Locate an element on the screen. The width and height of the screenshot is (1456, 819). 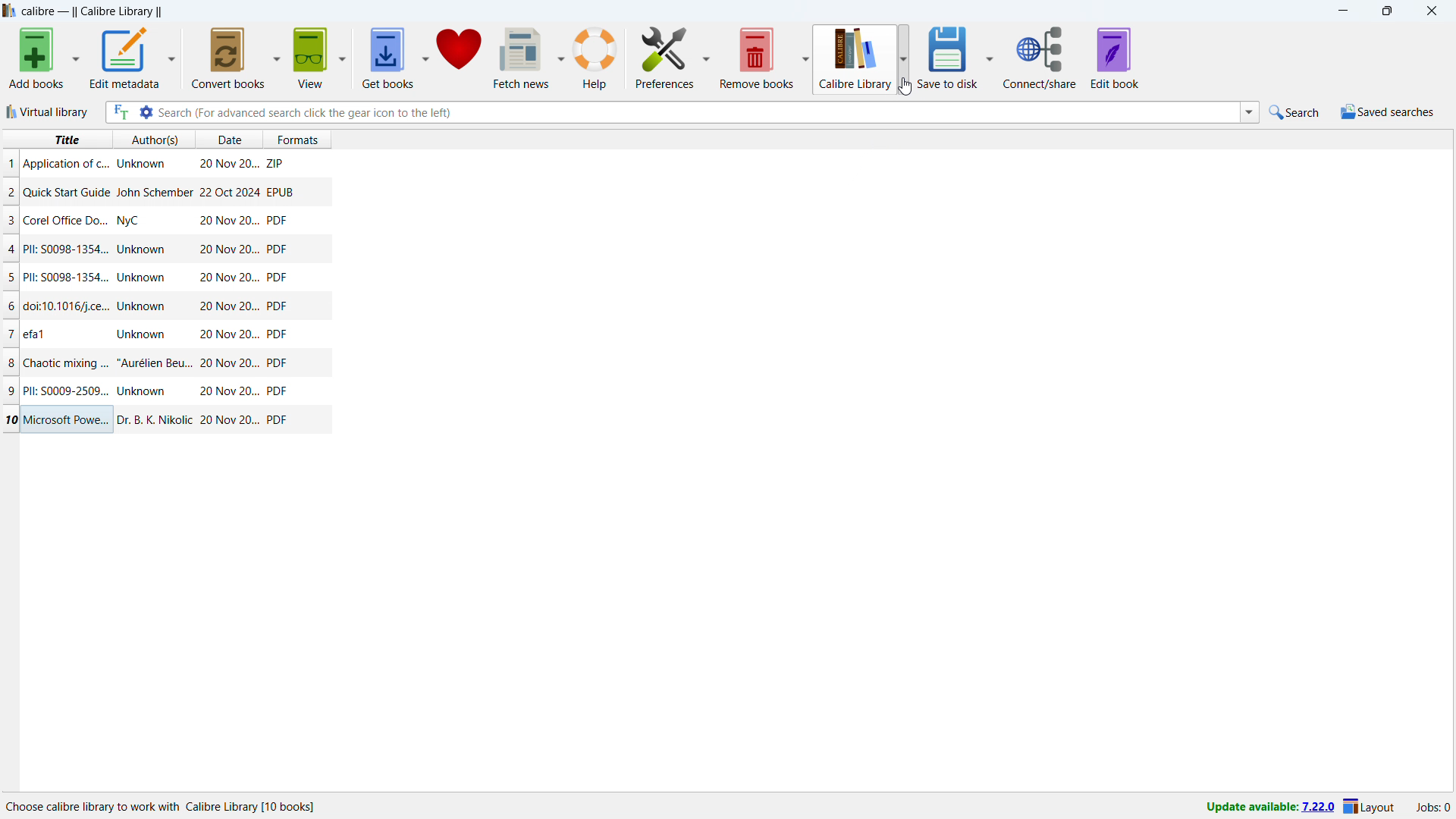
Author is located at coordinates (144, 306).